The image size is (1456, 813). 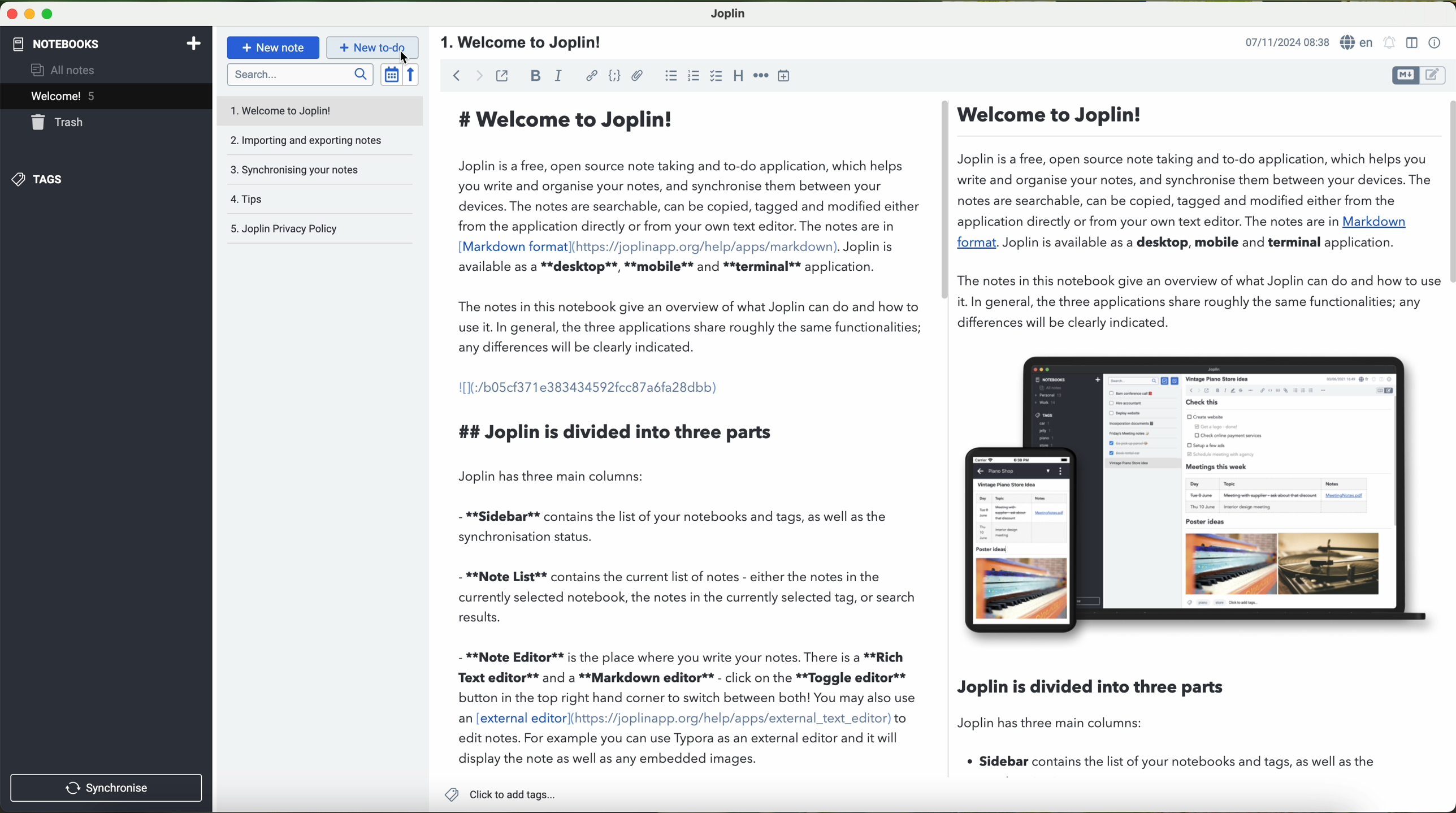 I want to click on cursor on new to-do button , so click(x=374, y=48).